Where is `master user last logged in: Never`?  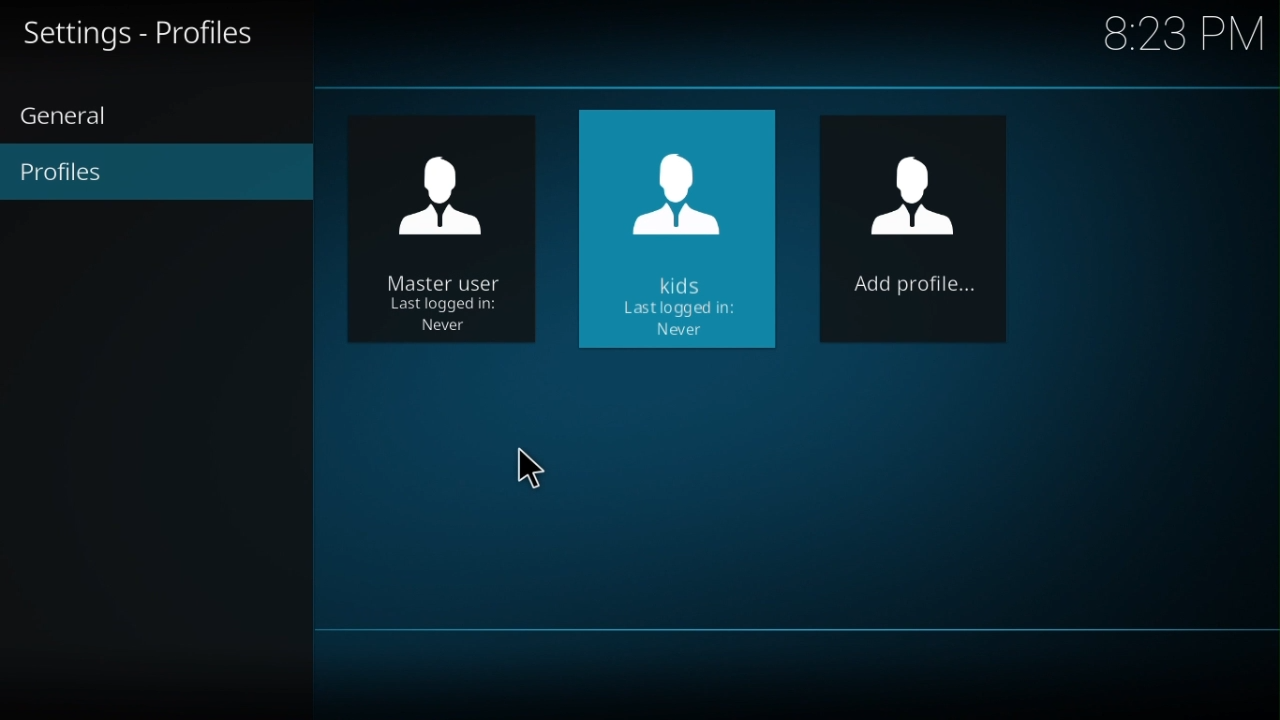 master user last logged in: Never is located at coordinates (443, 230).